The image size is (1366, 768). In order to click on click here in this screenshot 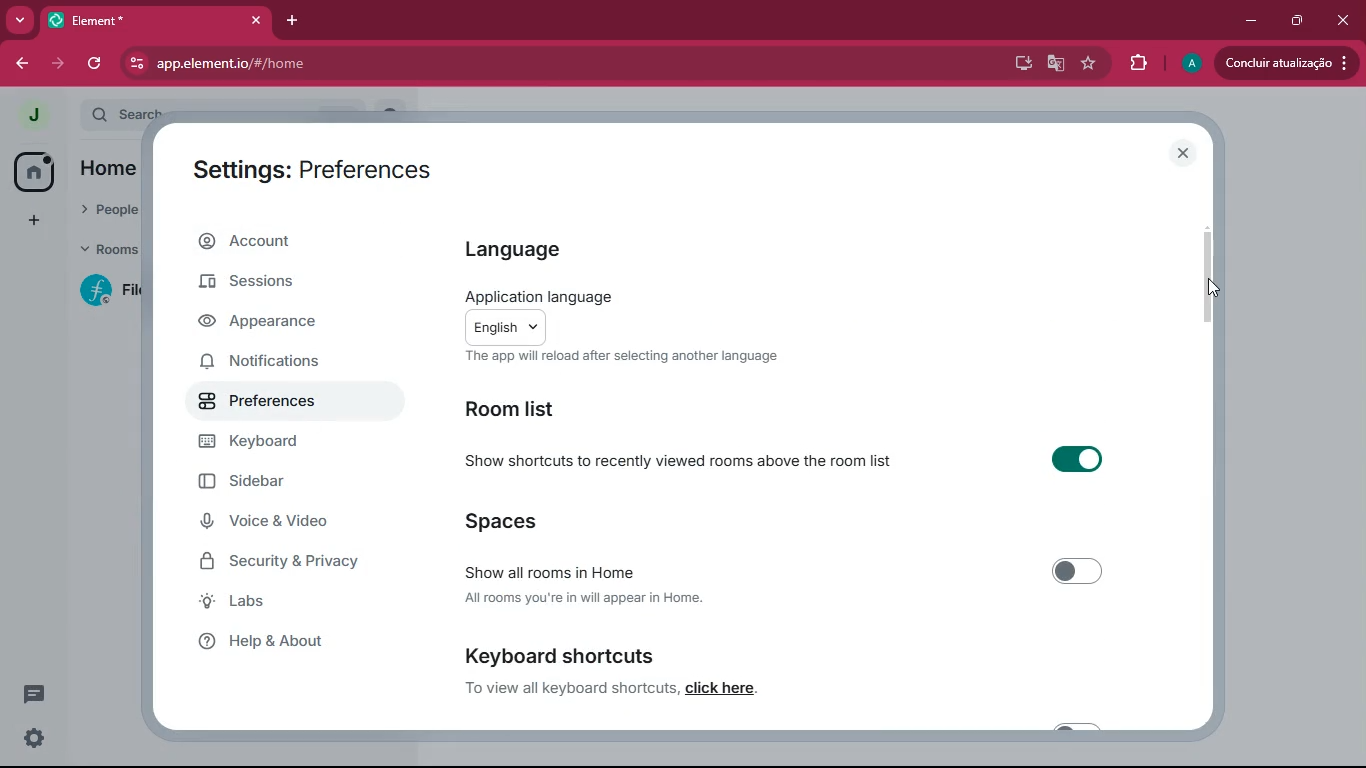, I will do `click(717, 688)`.